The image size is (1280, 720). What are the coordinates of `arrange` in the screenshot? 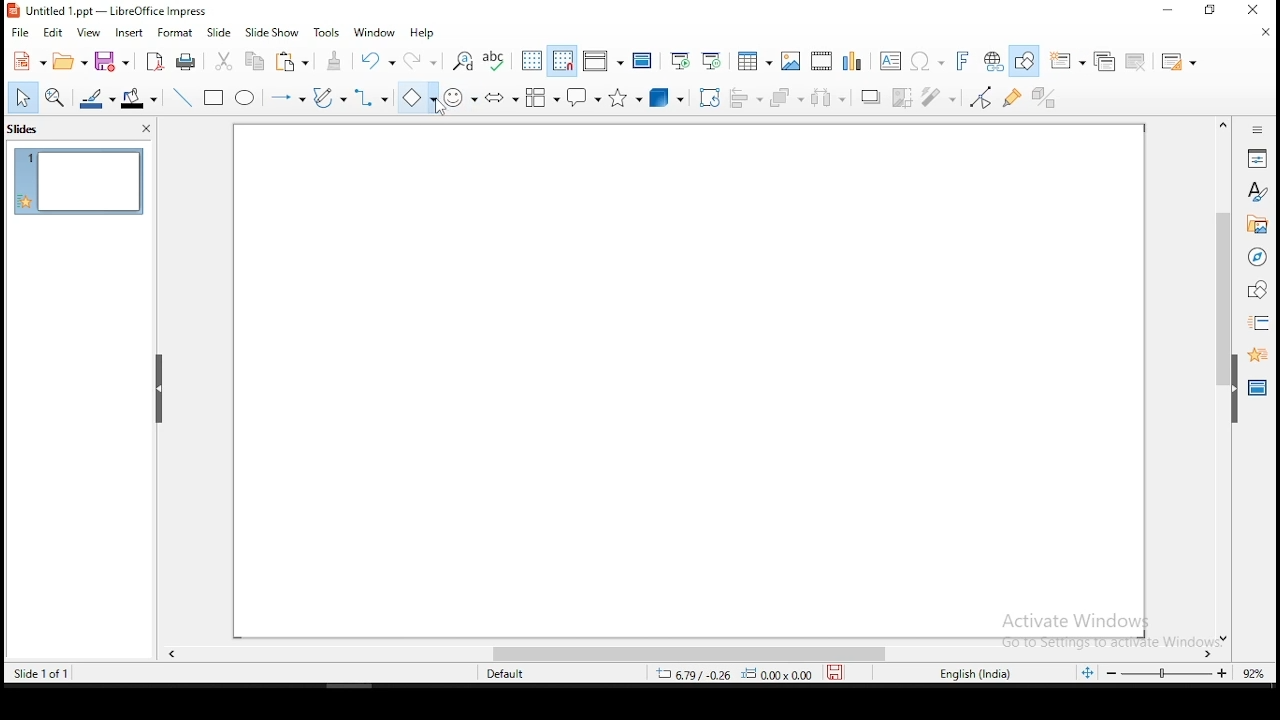 It's located at (789, 97).